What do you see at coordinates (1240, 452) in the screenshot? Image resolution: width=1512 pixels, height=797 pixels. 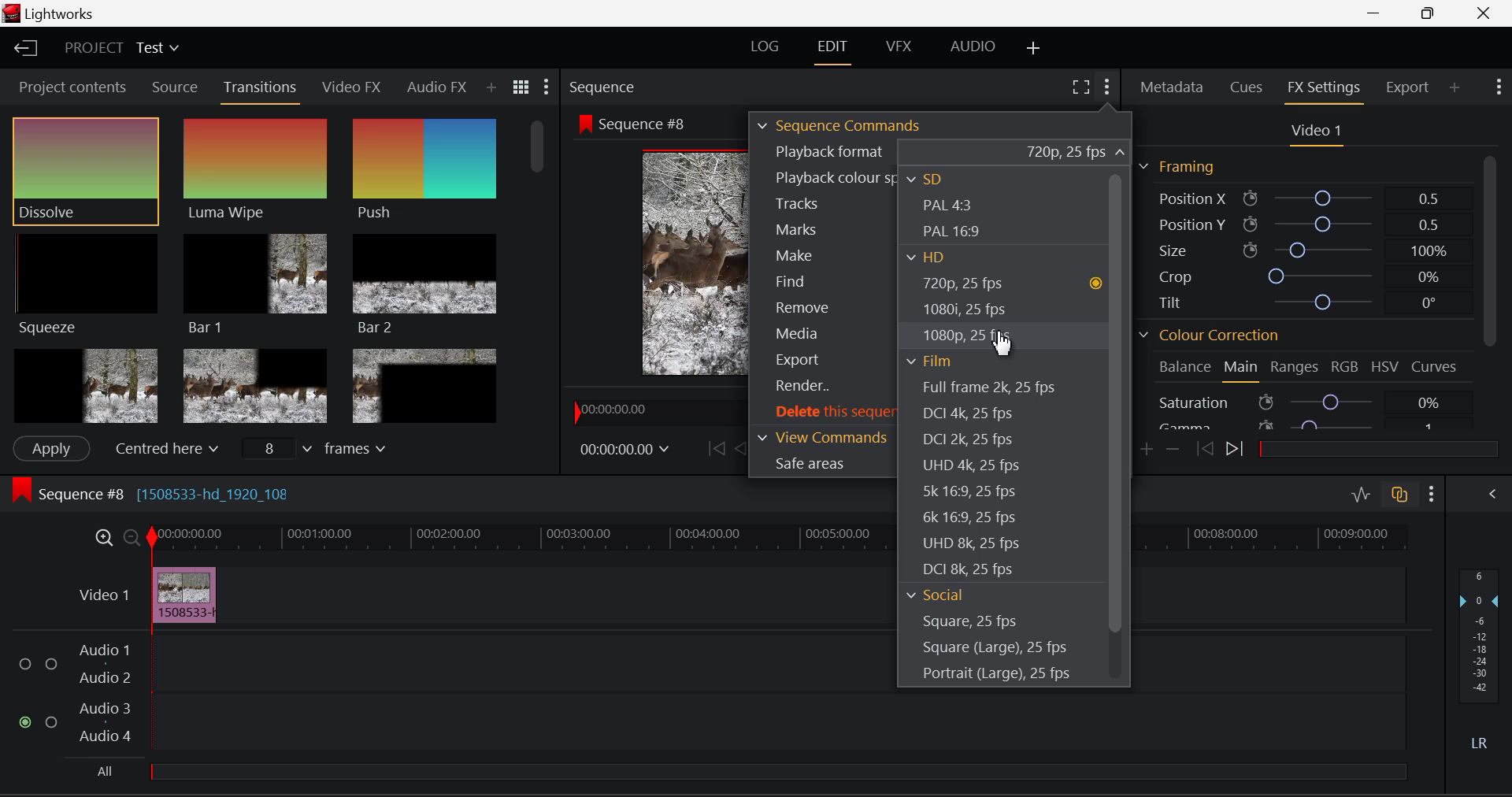 I see `Next keyframe` at bounding box center [1240, 452].